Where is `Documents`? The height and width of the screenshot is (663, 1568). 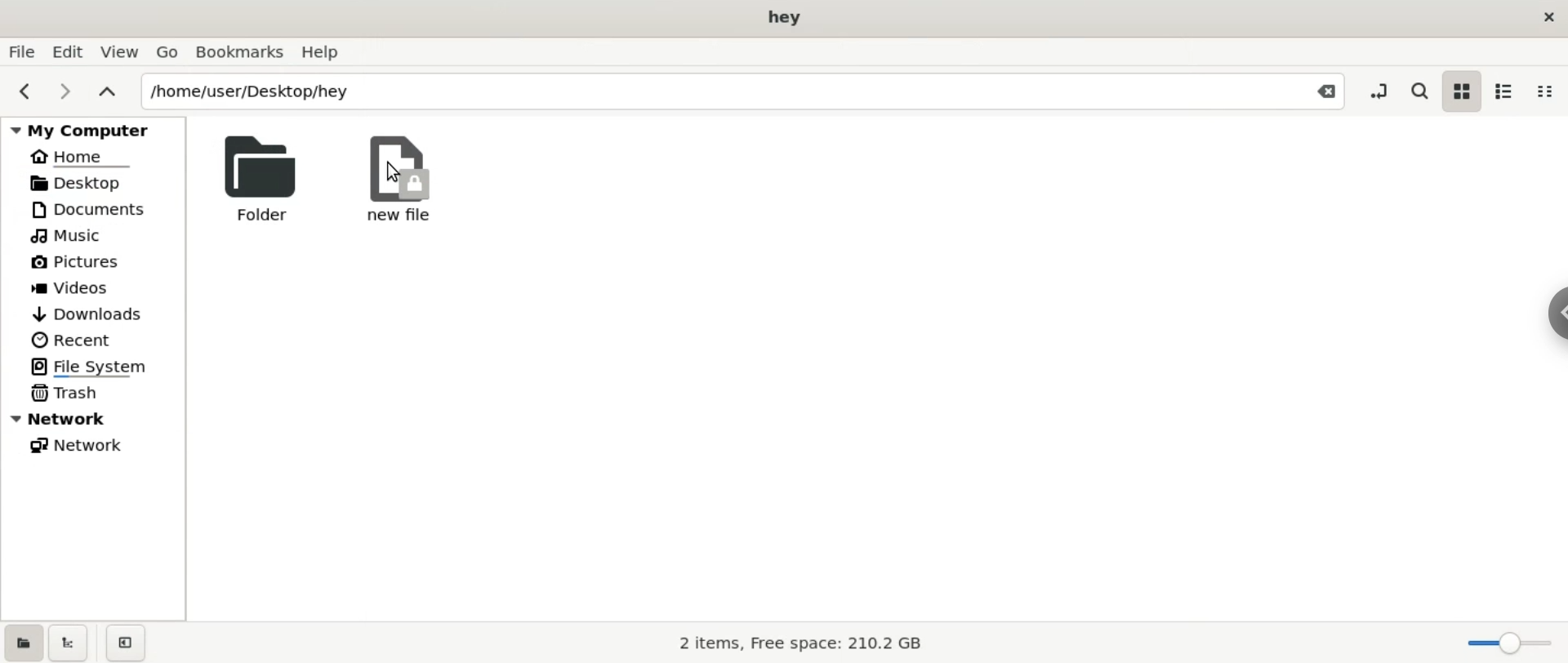
Documents is located at coordinates (96, 209).